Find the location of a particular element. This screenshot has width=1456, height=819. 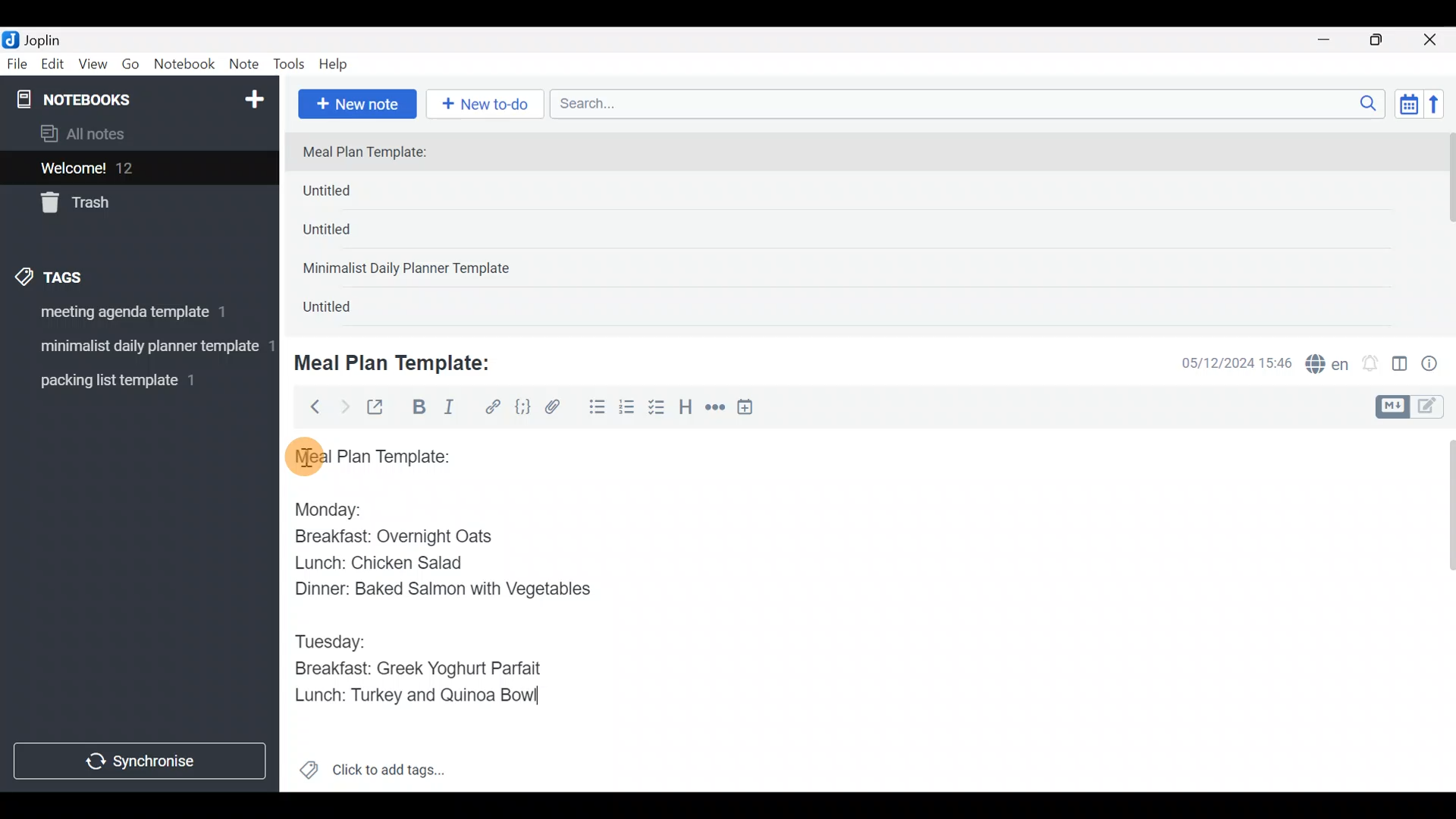

Tag 2 is located at coordinates (139, 348).